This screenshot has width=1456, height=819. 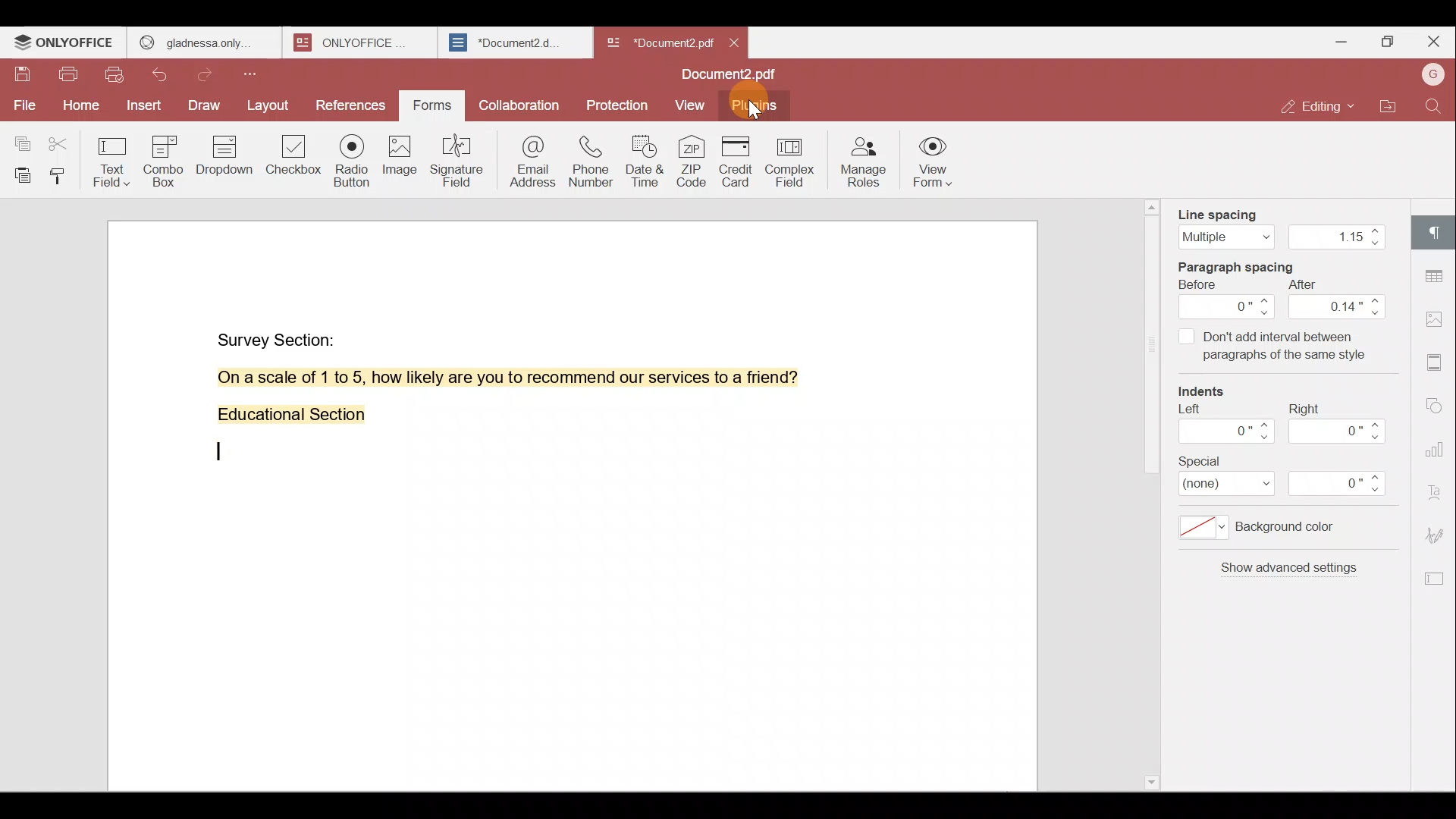 What do you see at coordinates (1341, 423) in the screenshot?
I see `Right` at bounding box center [1341, 423].